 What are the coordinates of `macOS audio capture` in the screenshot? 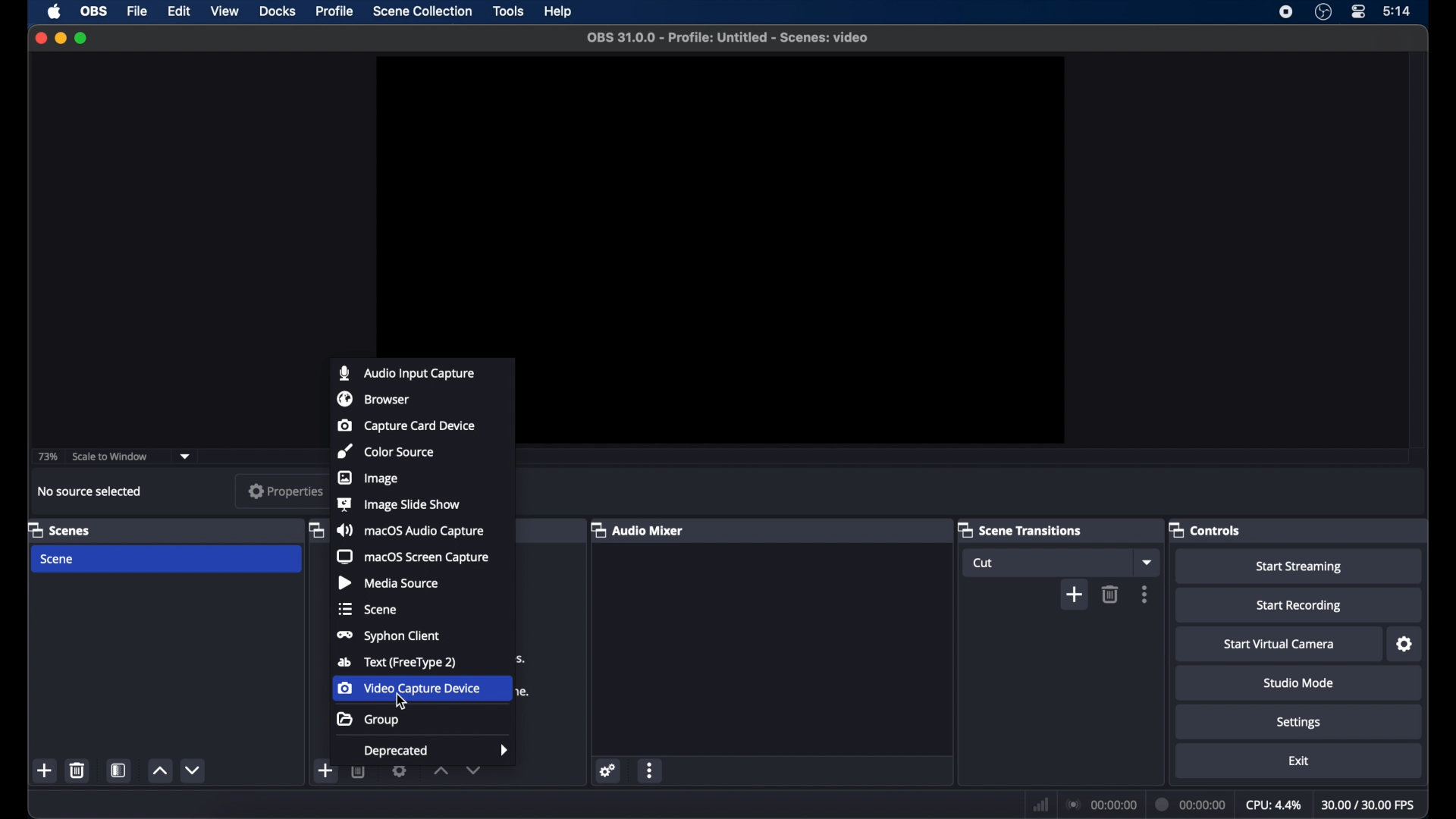 It's located at (409, 531).